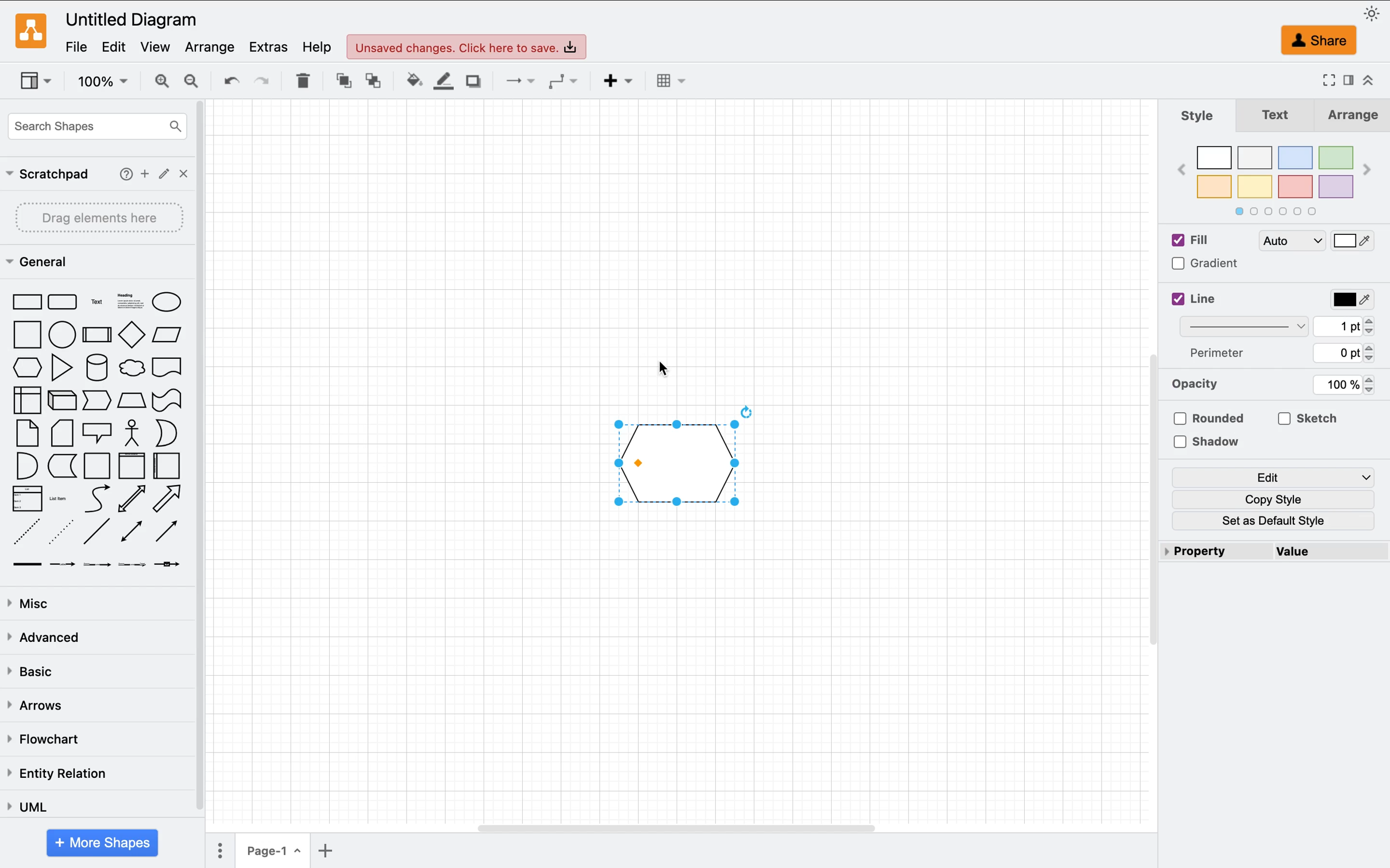  I want to click on unsaved changed, so click(468, 47).